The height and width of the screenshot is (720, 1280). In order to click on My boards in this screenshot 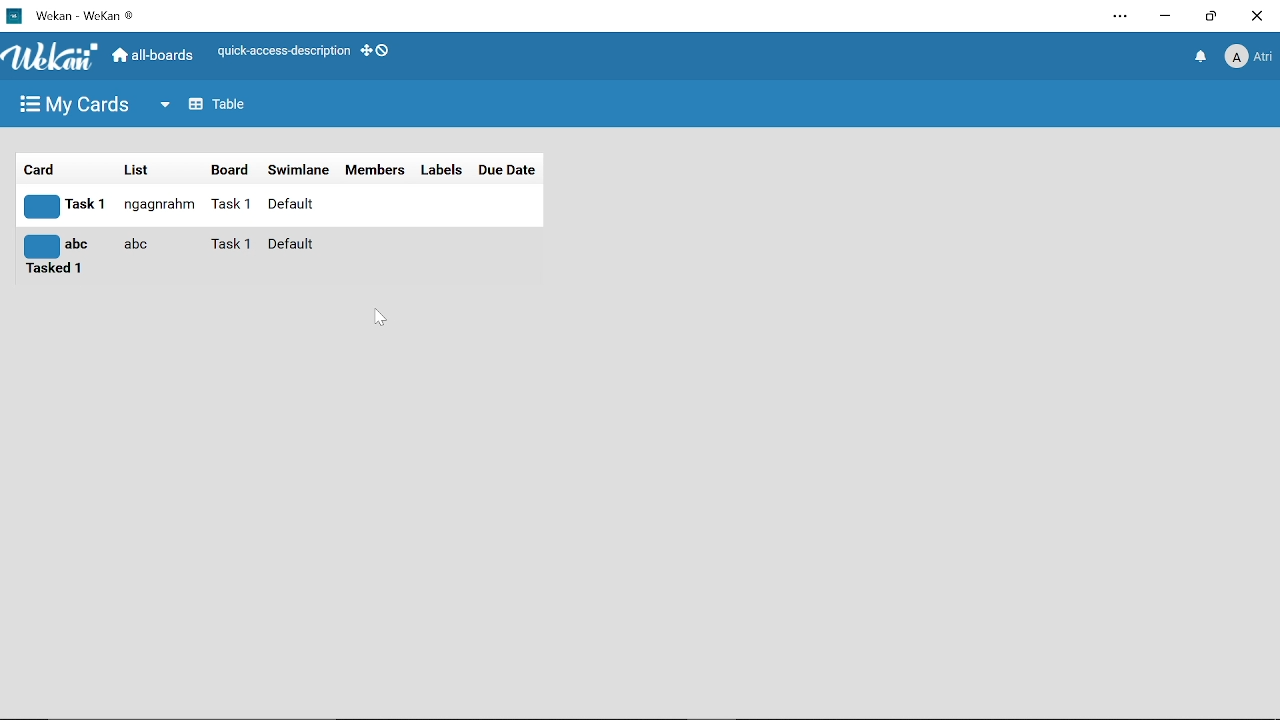, I will do `click(71, 105)`.